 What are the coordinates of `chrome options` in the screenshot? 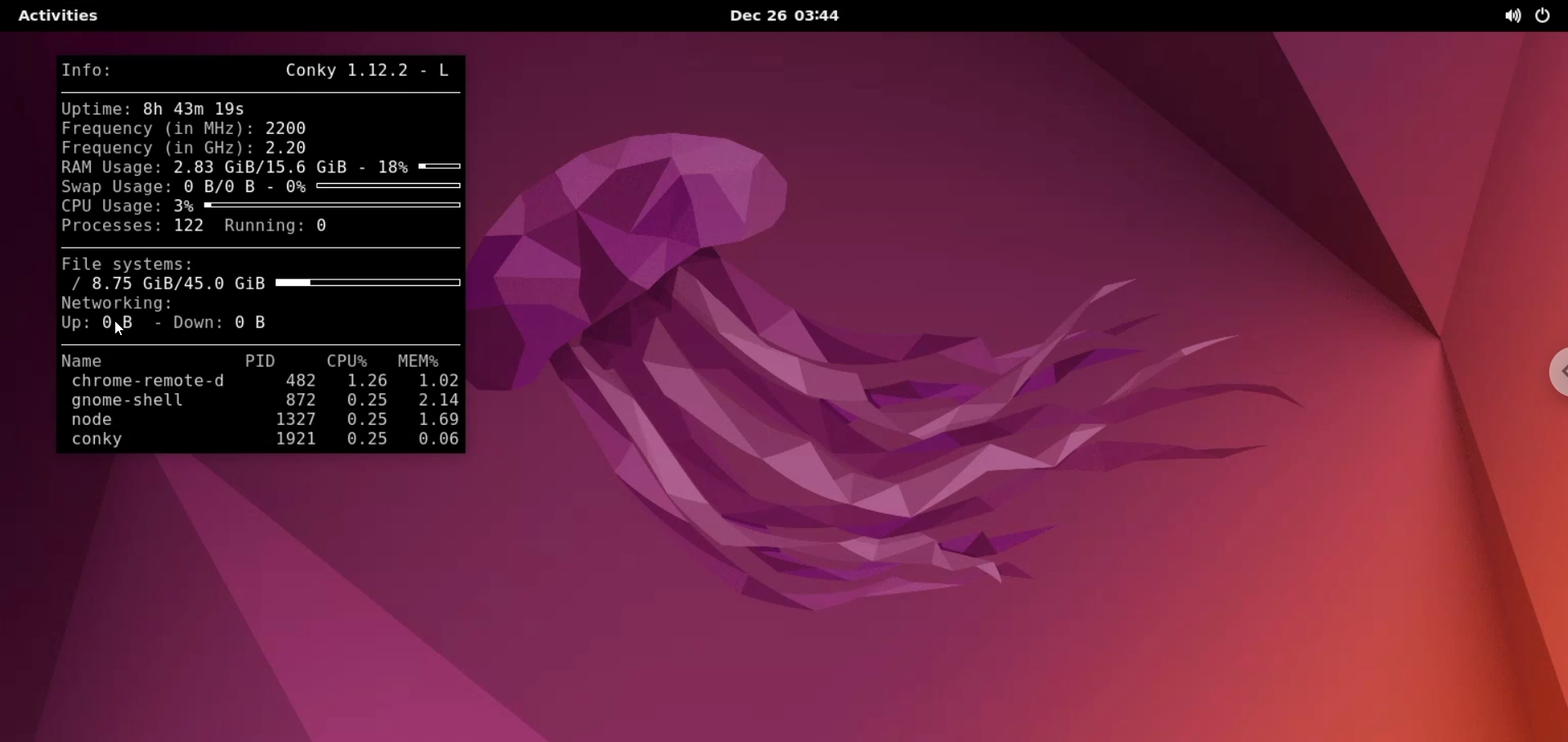 It's located at (1554, 371).